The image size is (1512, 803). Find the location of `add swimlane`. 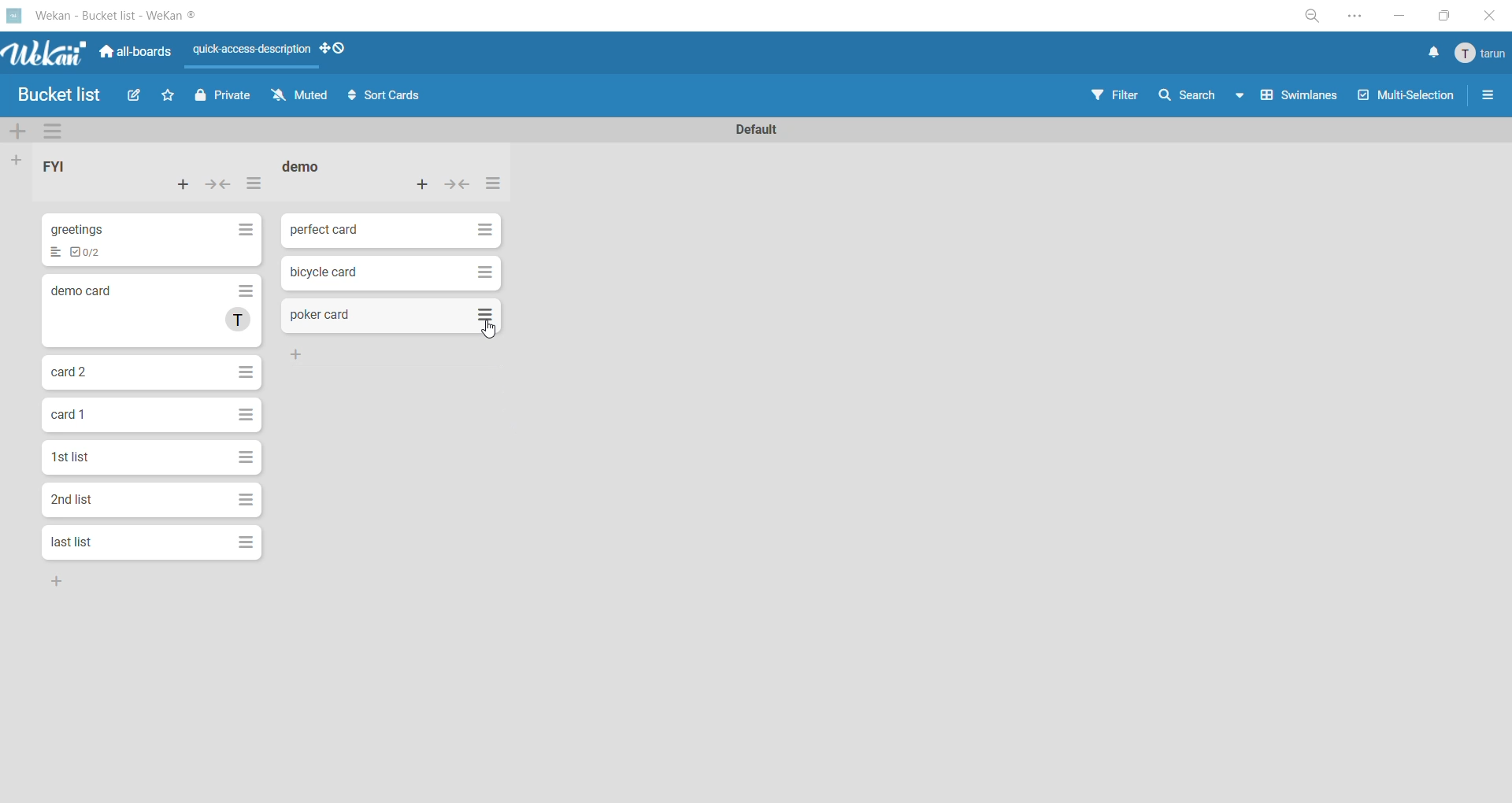

add swimlane is located at coordinates (20, 134).